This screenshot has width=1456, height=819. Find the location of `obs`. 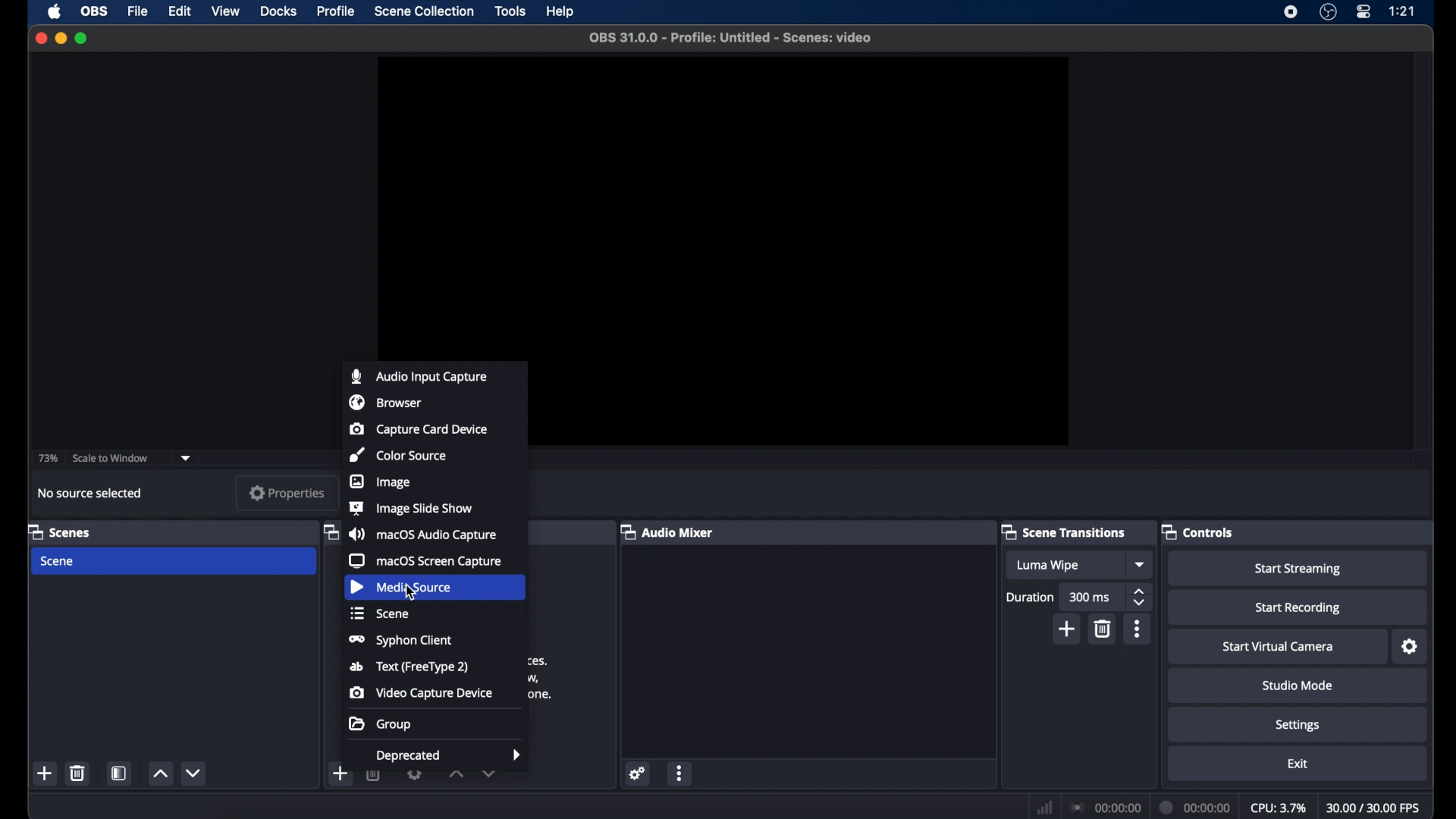

obs is located at coordinates (95, 11).